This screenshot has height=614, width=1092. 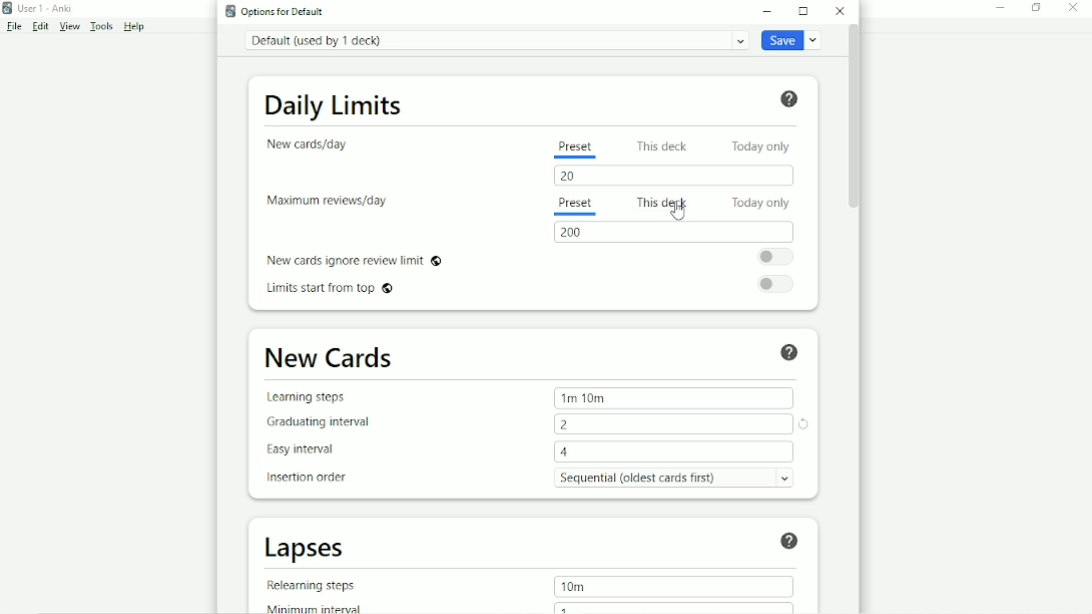 What do you see at coordinates (308, 450) in the screenshot?
I see `Easy interval` at bounding box center [308, 450].